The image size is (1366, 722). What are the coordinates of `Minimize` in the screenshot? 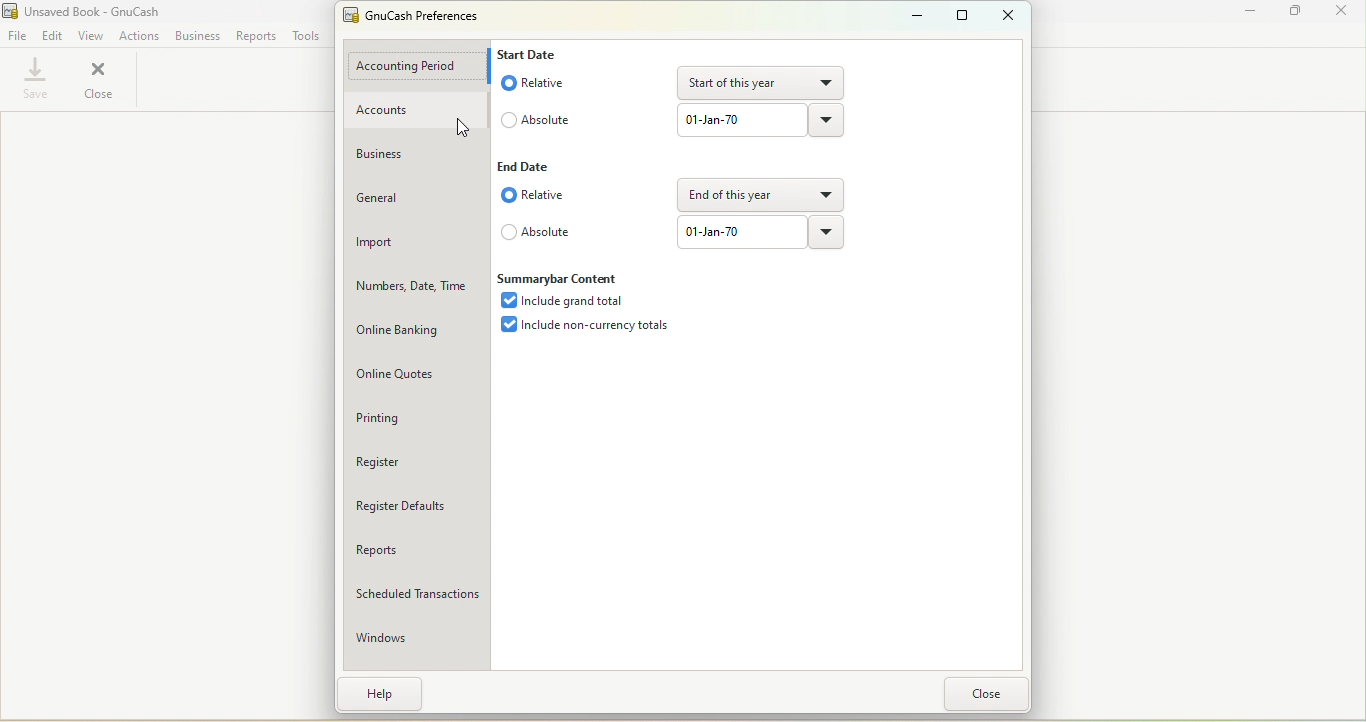 It's located at (1243, 13).